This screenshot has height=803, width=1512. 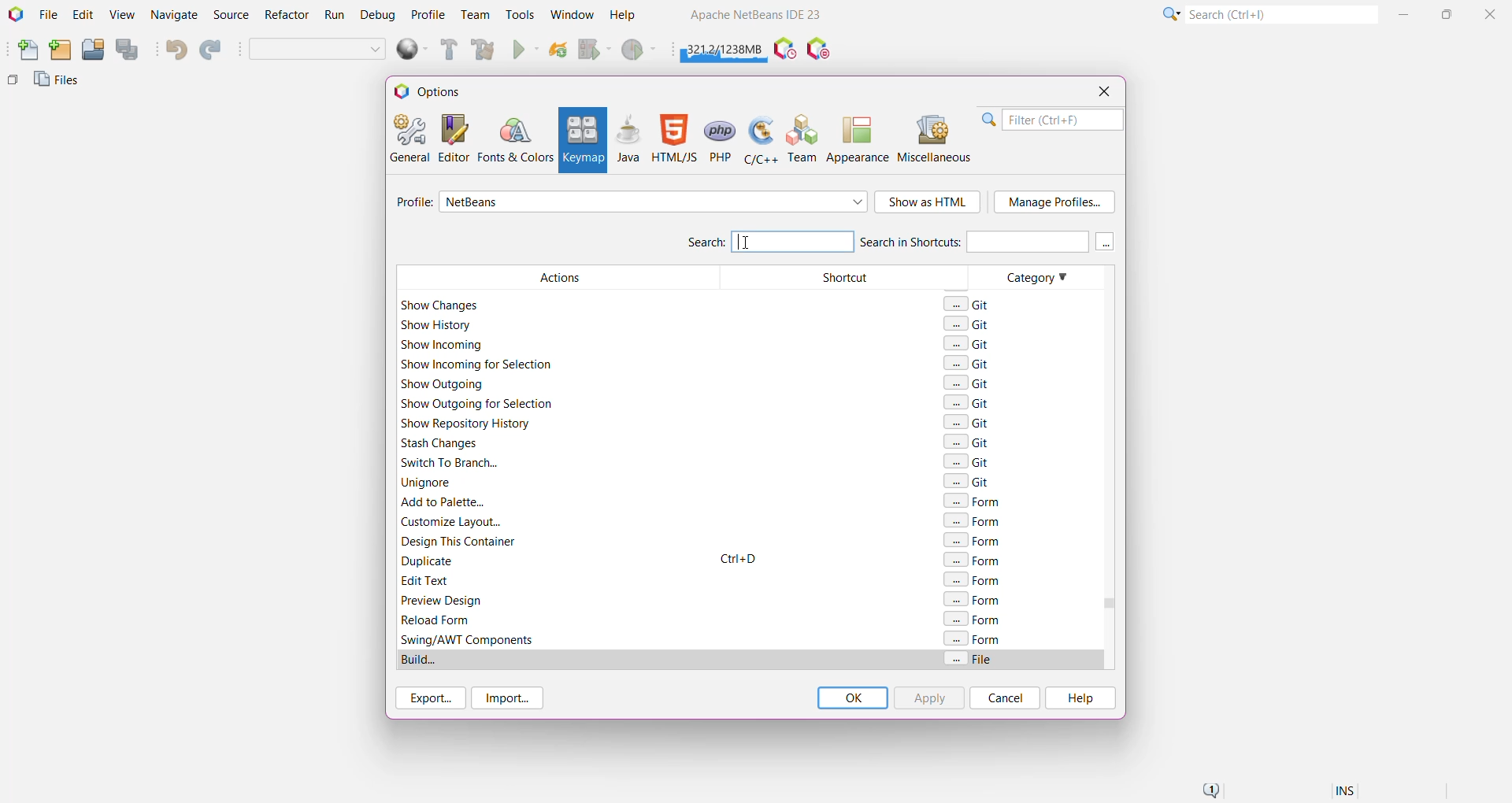 What do you see at coordinates (121, 16) in the screenshot?
I see `View` at bounding box center [121, 16].